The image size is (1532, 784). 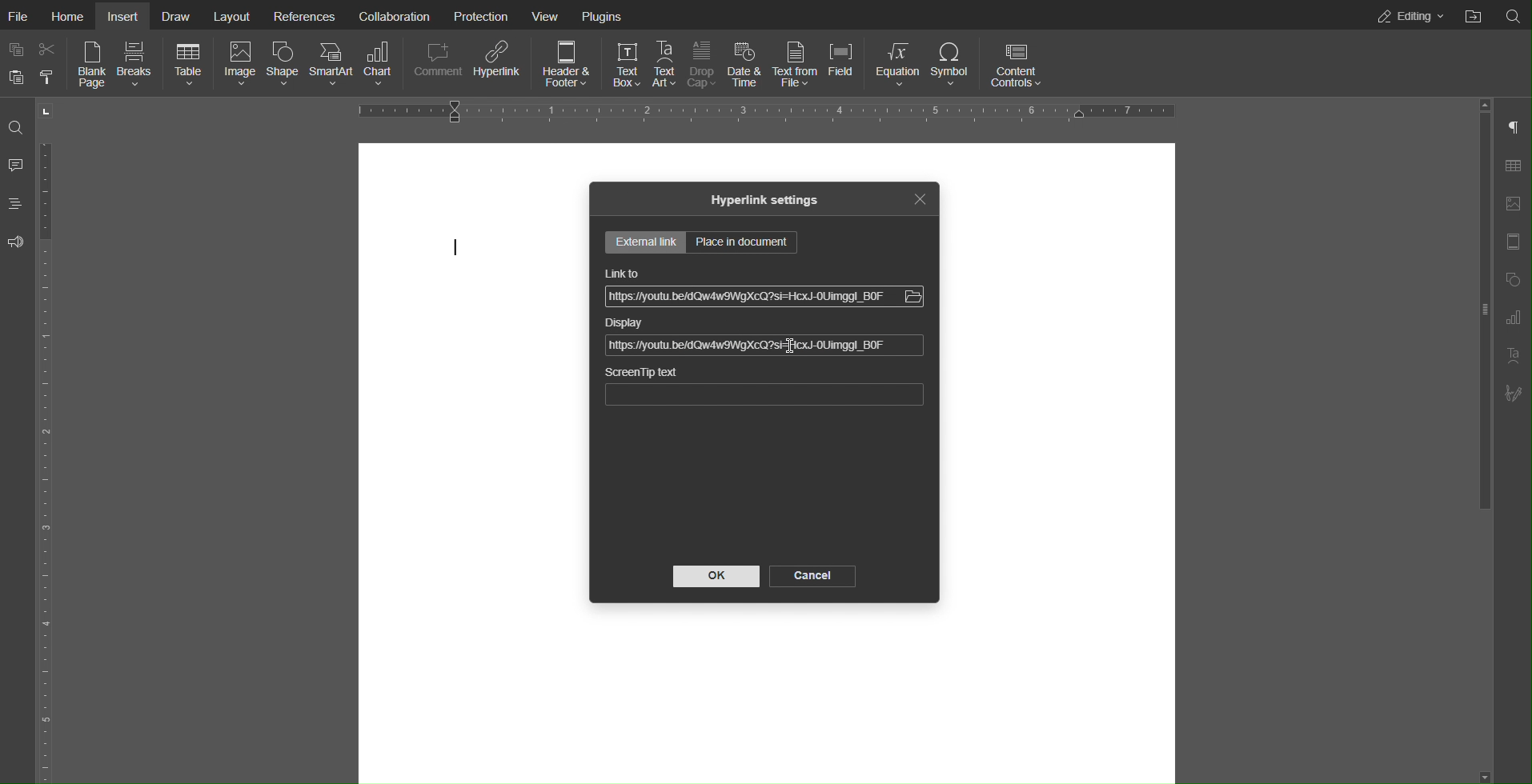 What do you see at coordinates (1017, 62) in the screenshot?
I see `Content Controls` at bounding box center [1017, 62].